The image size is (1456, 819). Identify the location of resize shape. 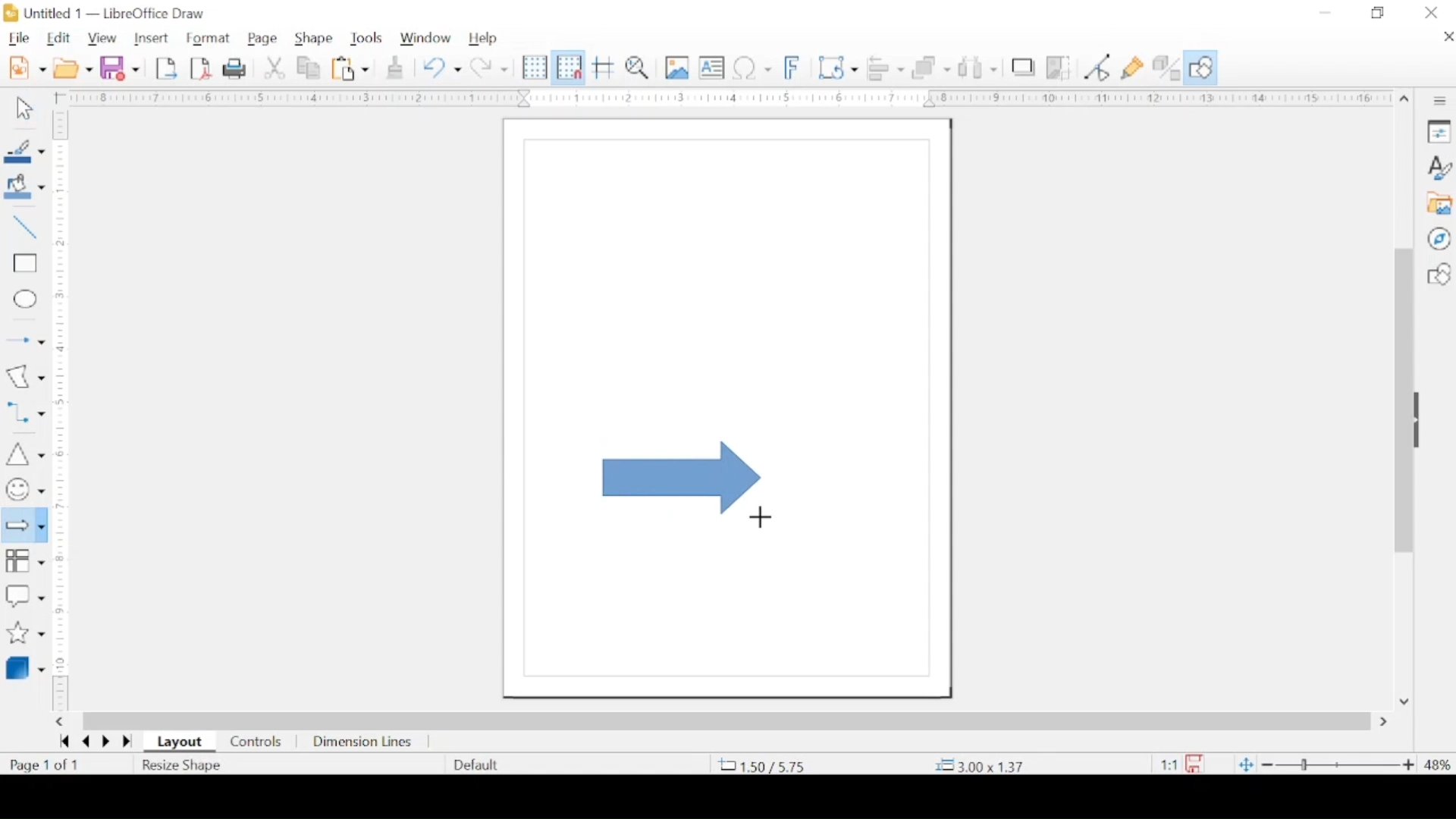
(184, 767).